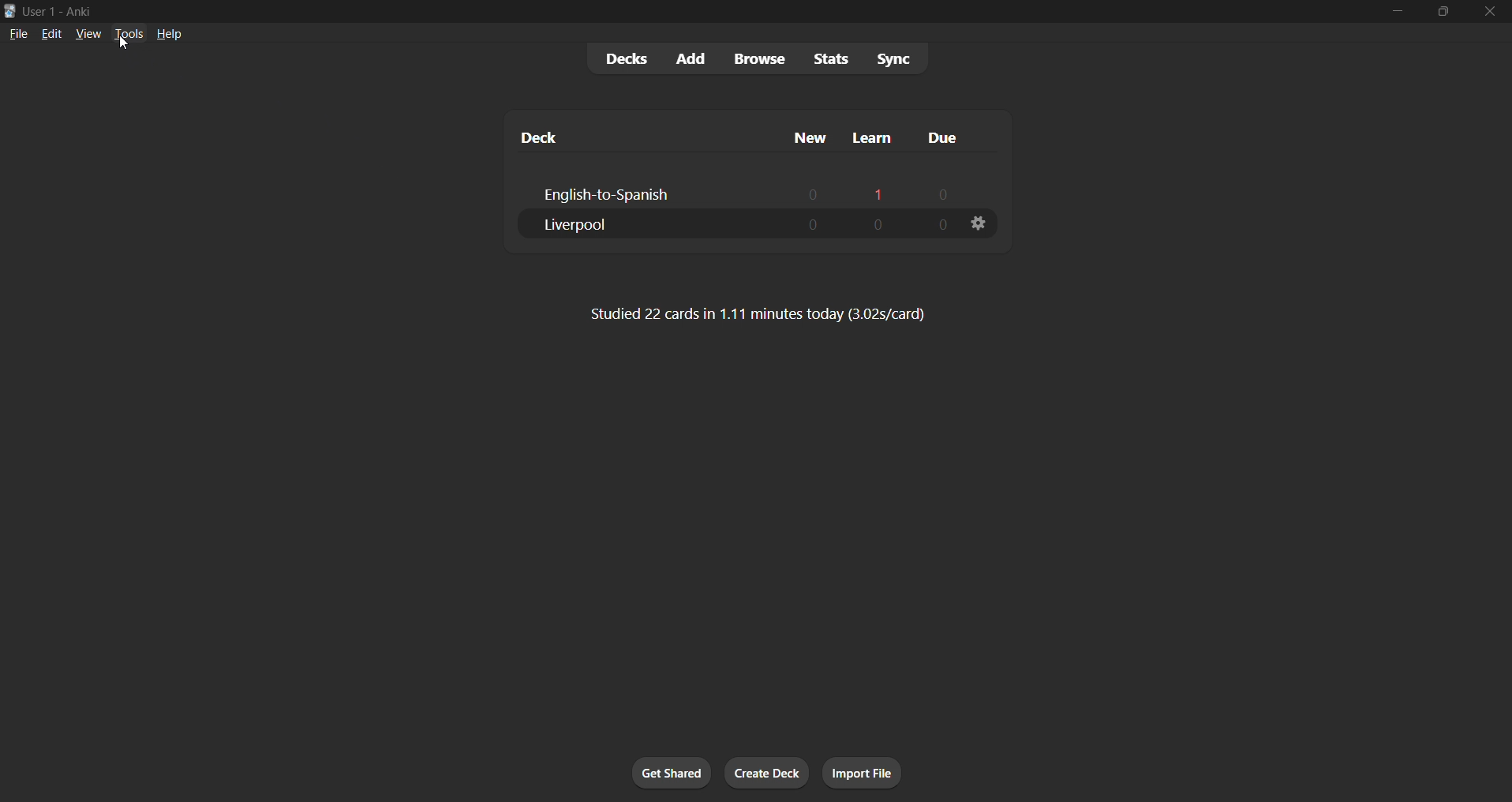  I want to click on browse, so click(751, 58).